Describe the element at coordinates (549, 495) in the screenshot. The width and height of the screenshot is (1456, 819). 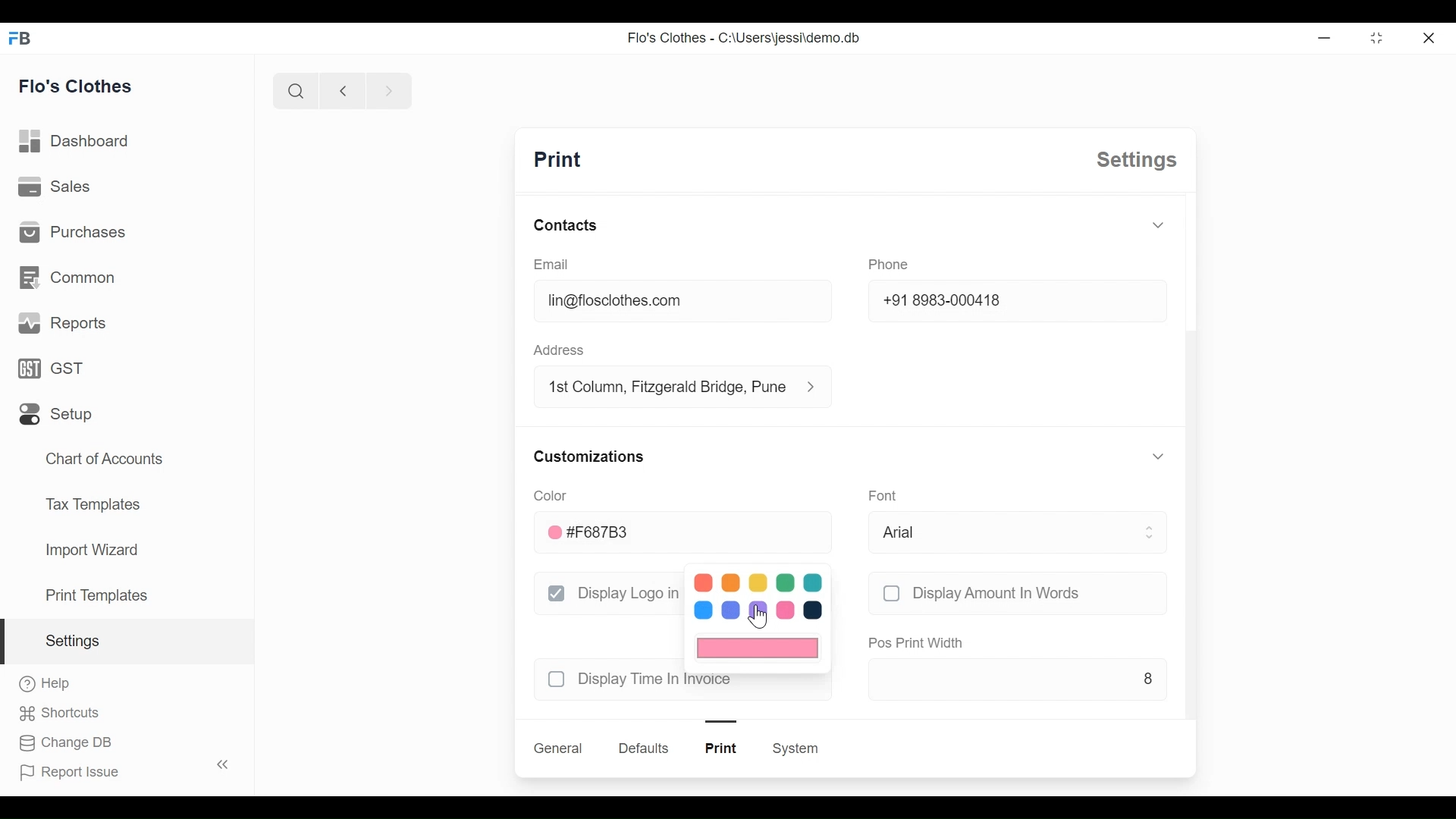
I see `color` at that location.